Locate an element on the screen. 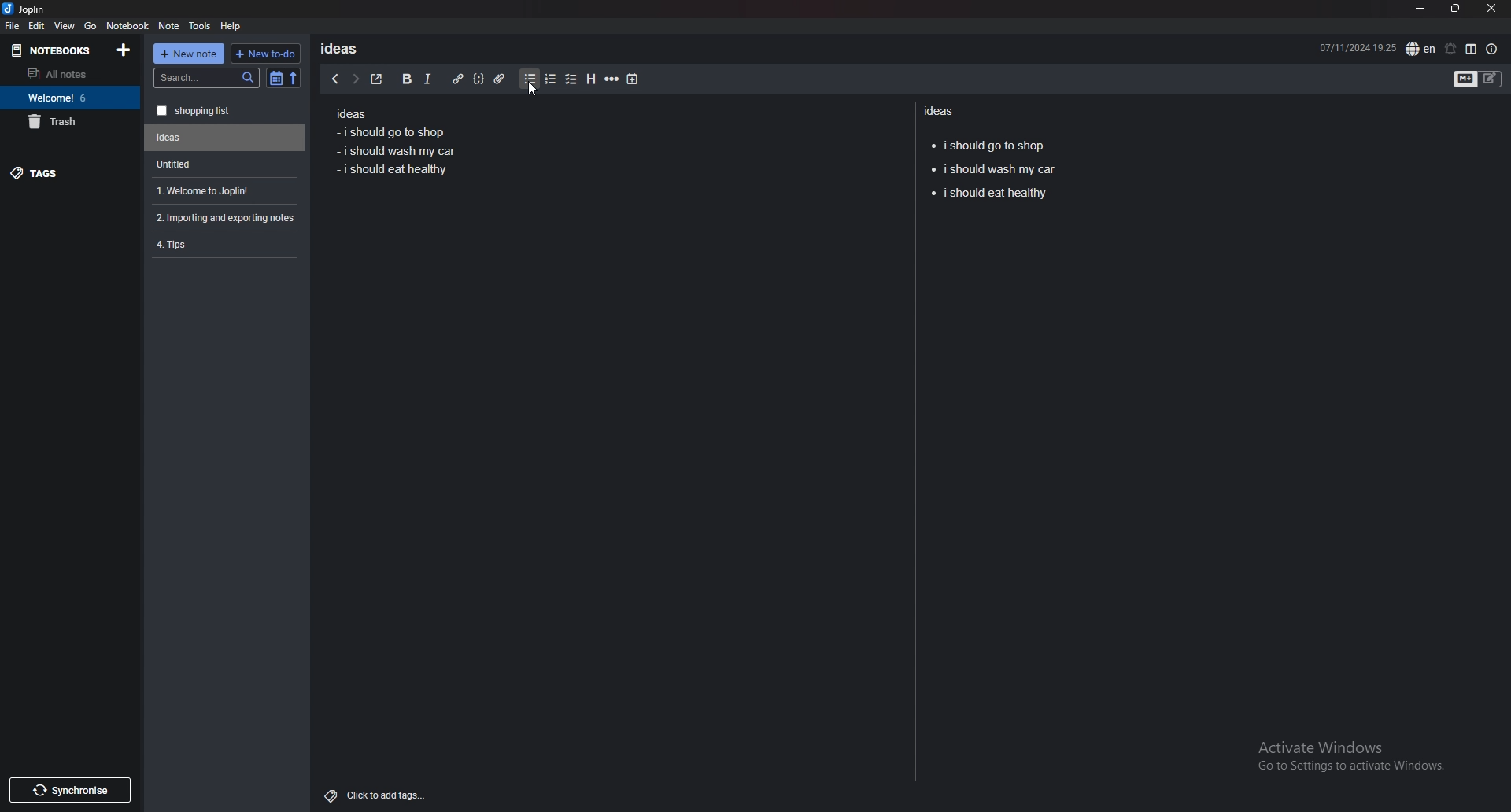 Image resolution: width=1511 pixels, height=812 pixels. add notebooks is located at coordinates (124, 49).